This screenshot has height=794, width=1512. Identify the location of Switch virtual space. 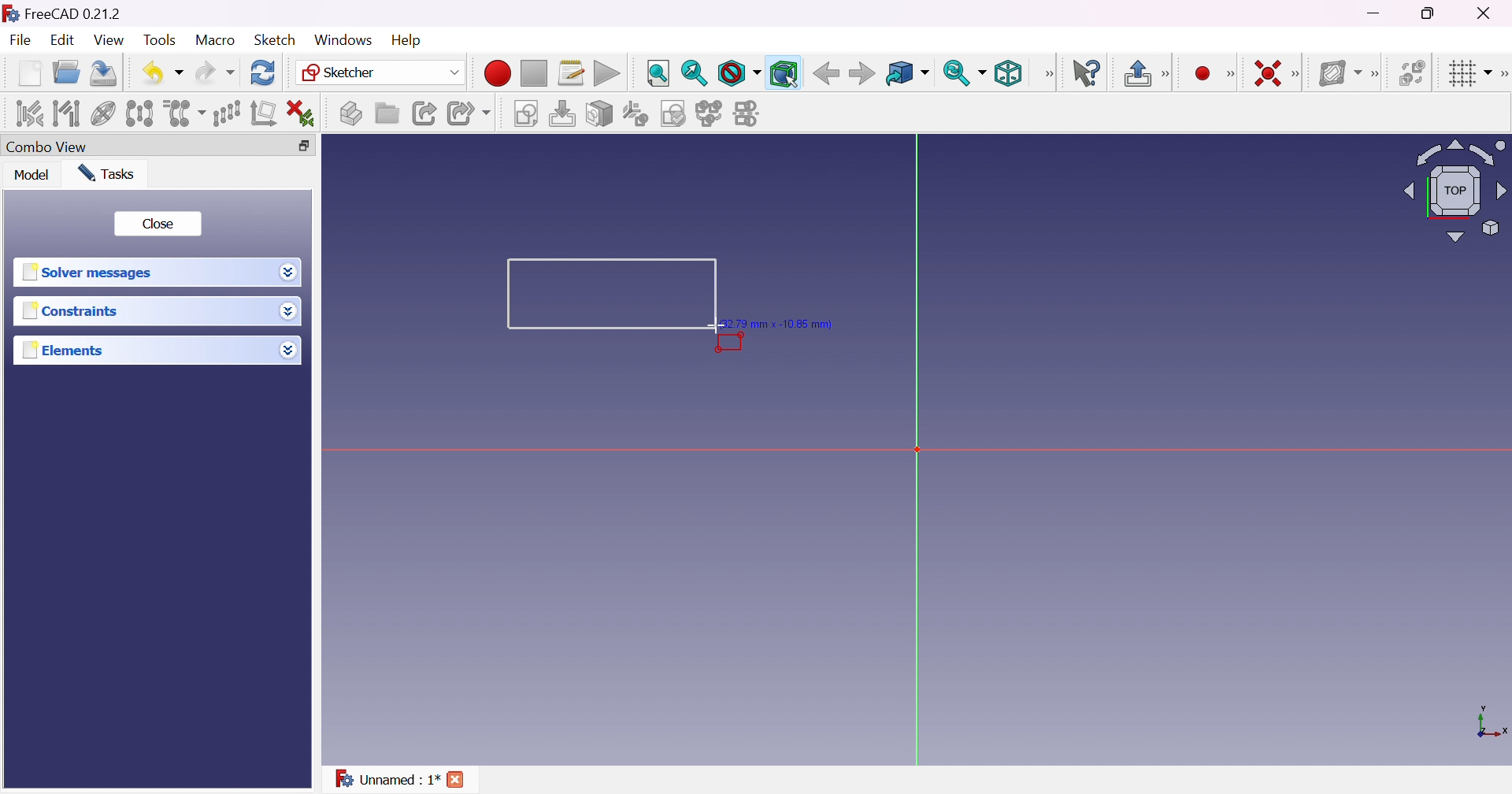
(1412, 74).